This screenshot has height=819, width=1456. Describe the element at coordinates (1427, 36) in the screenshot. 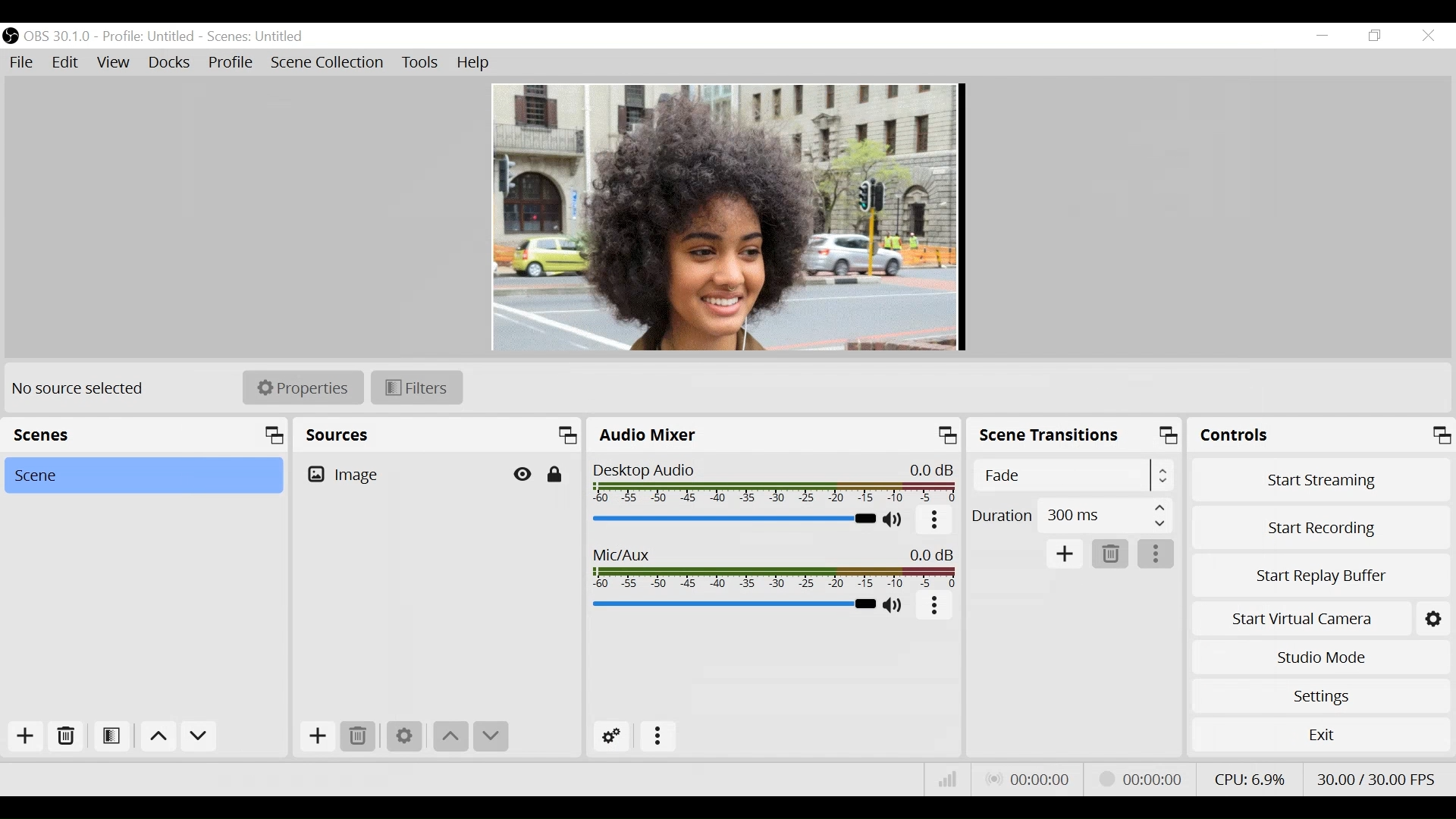

I see `Close` at that location.